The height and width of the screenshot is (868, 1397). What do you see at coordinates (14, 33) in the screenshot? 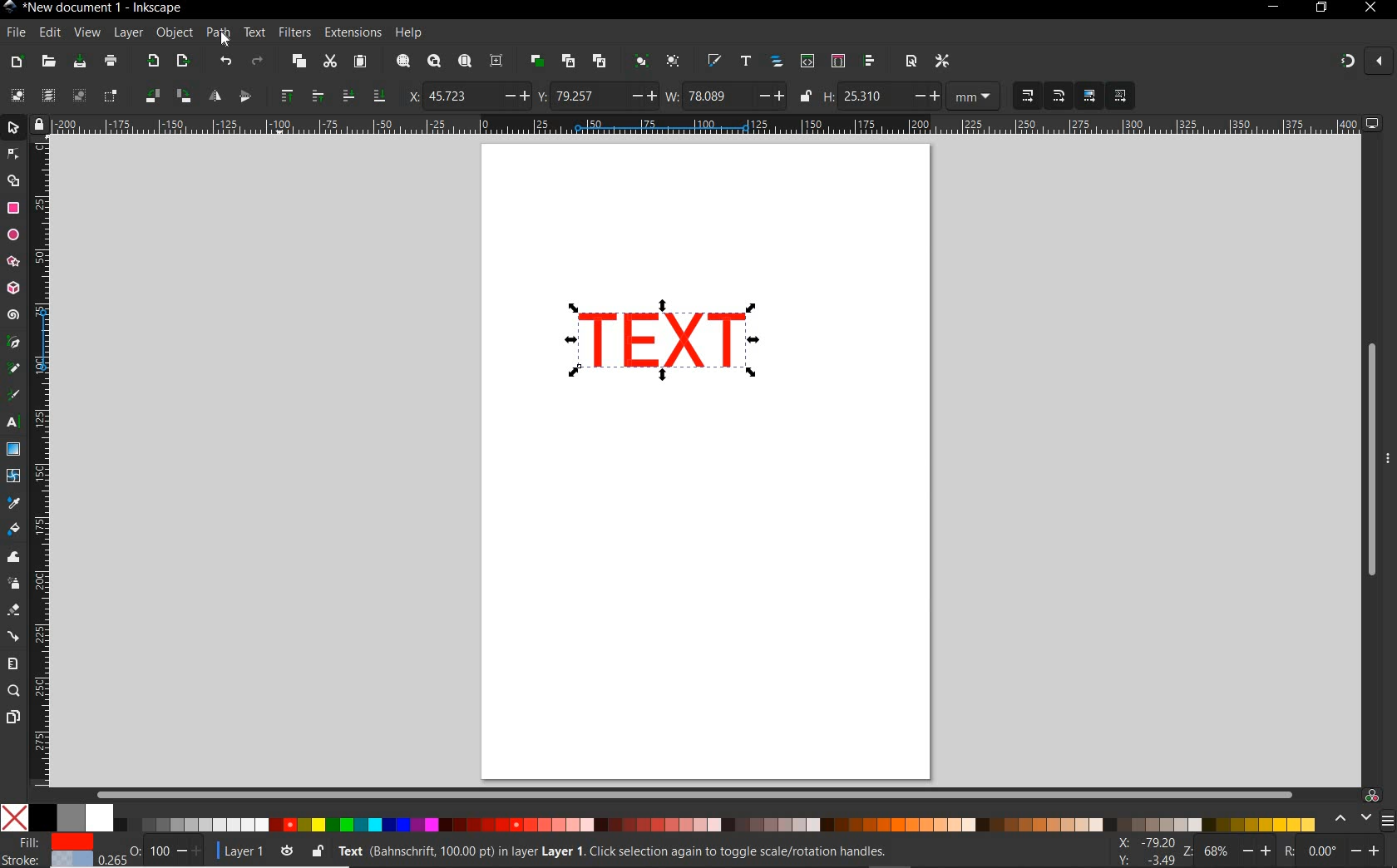
I see `FILE` at bounding box center [14, 33].